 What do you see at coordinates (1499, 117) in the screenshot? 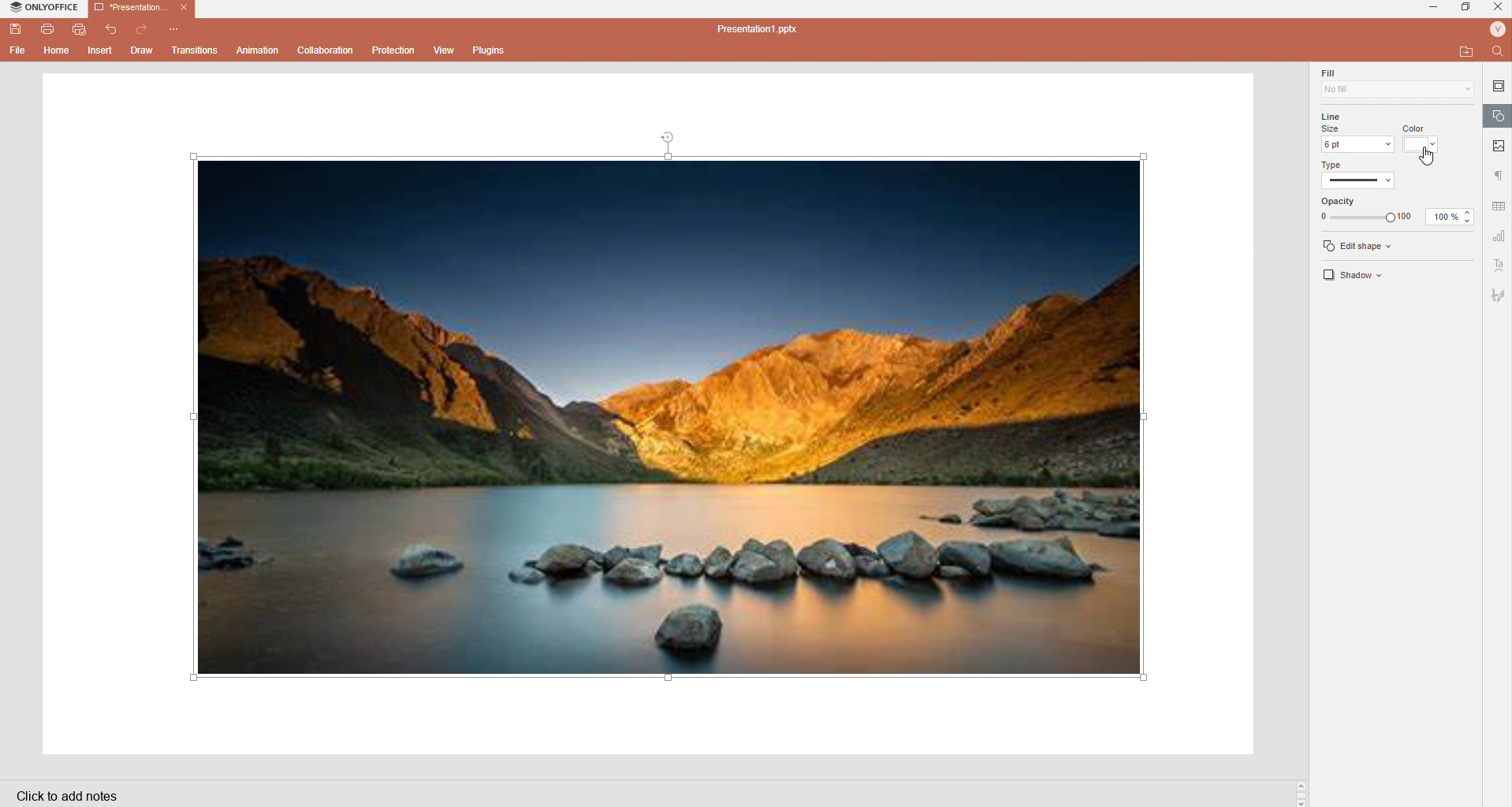
I see `Shape settings` at bounding box center [1499, 117].